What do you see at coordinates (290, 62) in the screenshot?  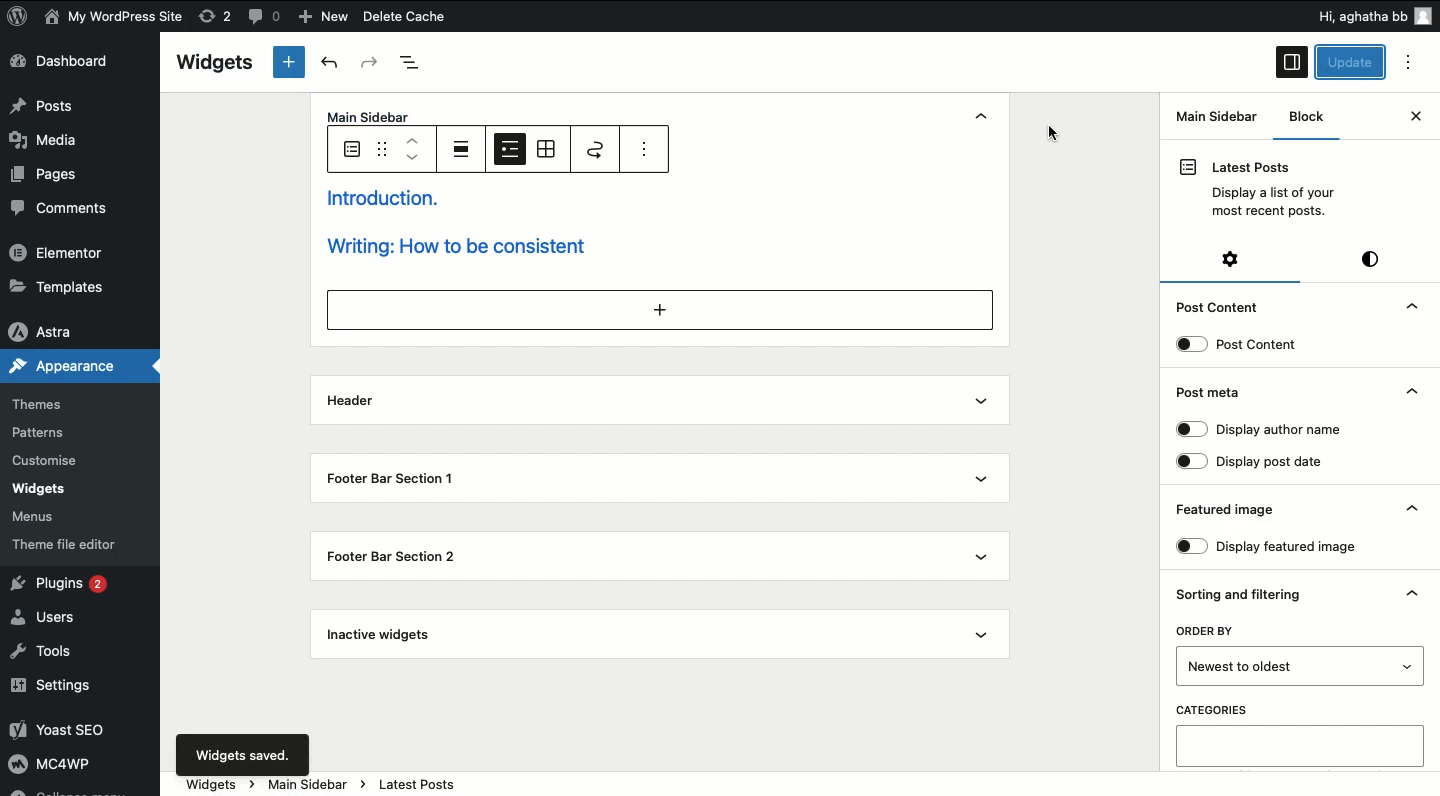 I see `New tab` at bounding box center [290, 62].